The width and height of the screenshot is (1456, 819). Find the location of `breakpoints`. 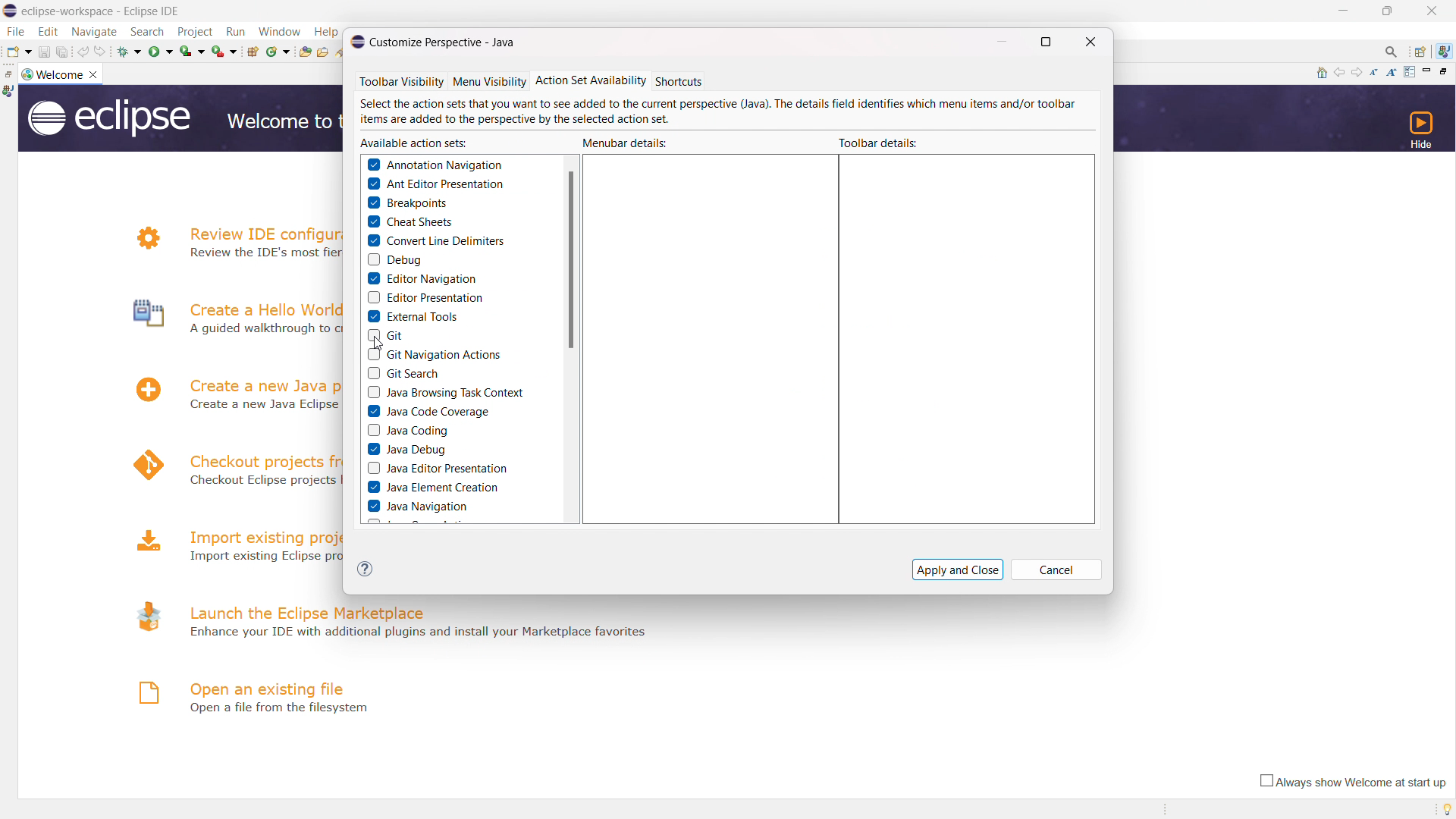

breakpoints is located at coordinates (406, 202).